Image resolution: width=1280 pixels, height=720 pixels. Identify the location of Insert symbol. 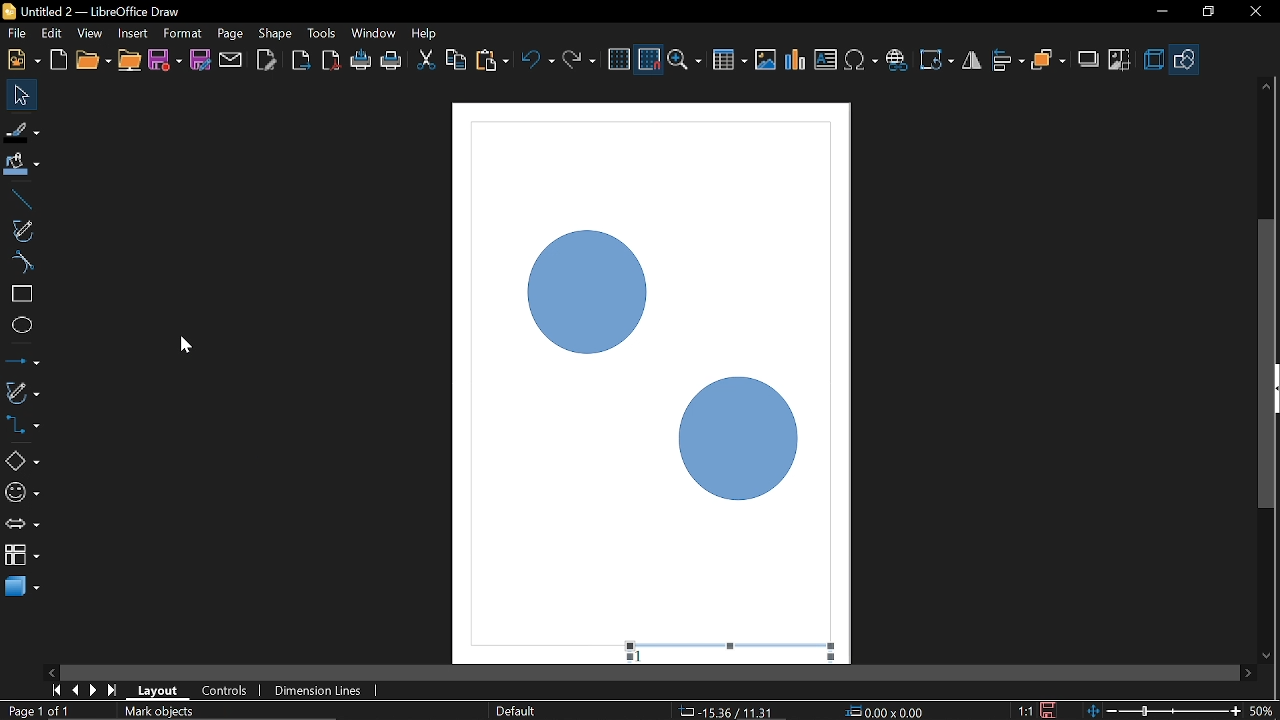
(863, 60).